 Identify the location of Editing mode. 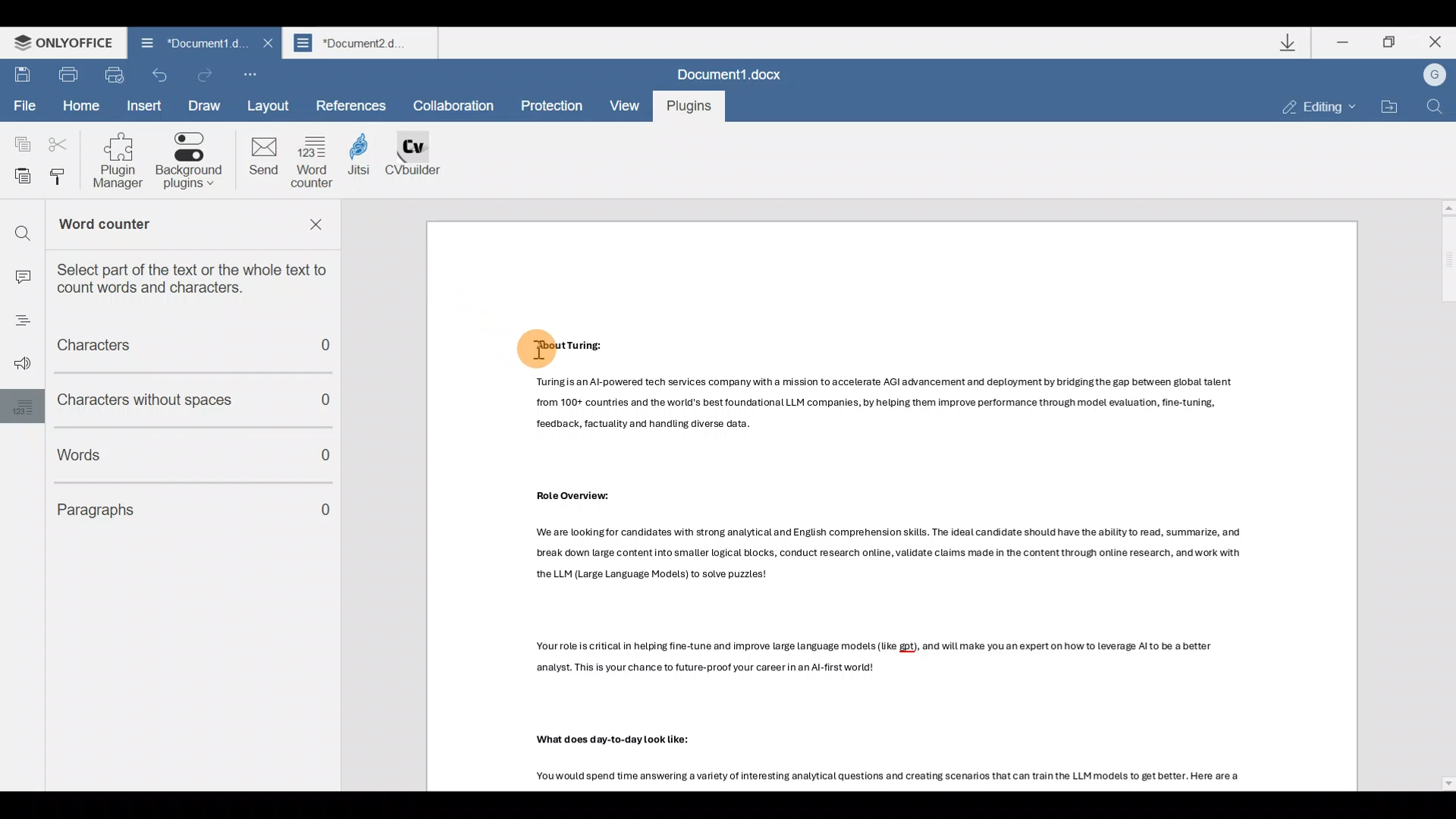
(1309, 107).